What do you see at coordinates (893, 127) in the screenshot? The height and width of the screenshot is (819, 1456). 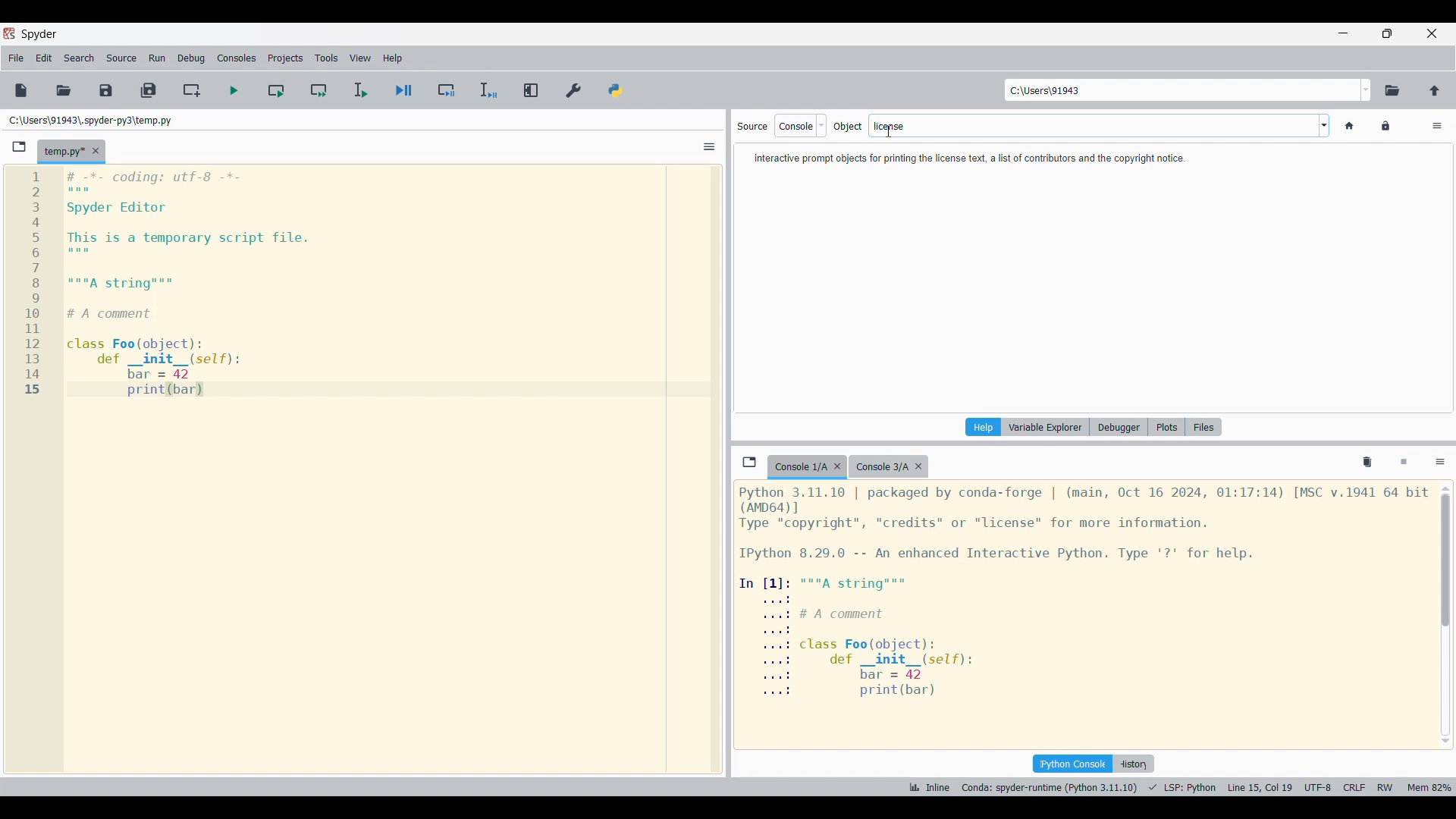 I see `cursor` at bounding box center [893, 127].